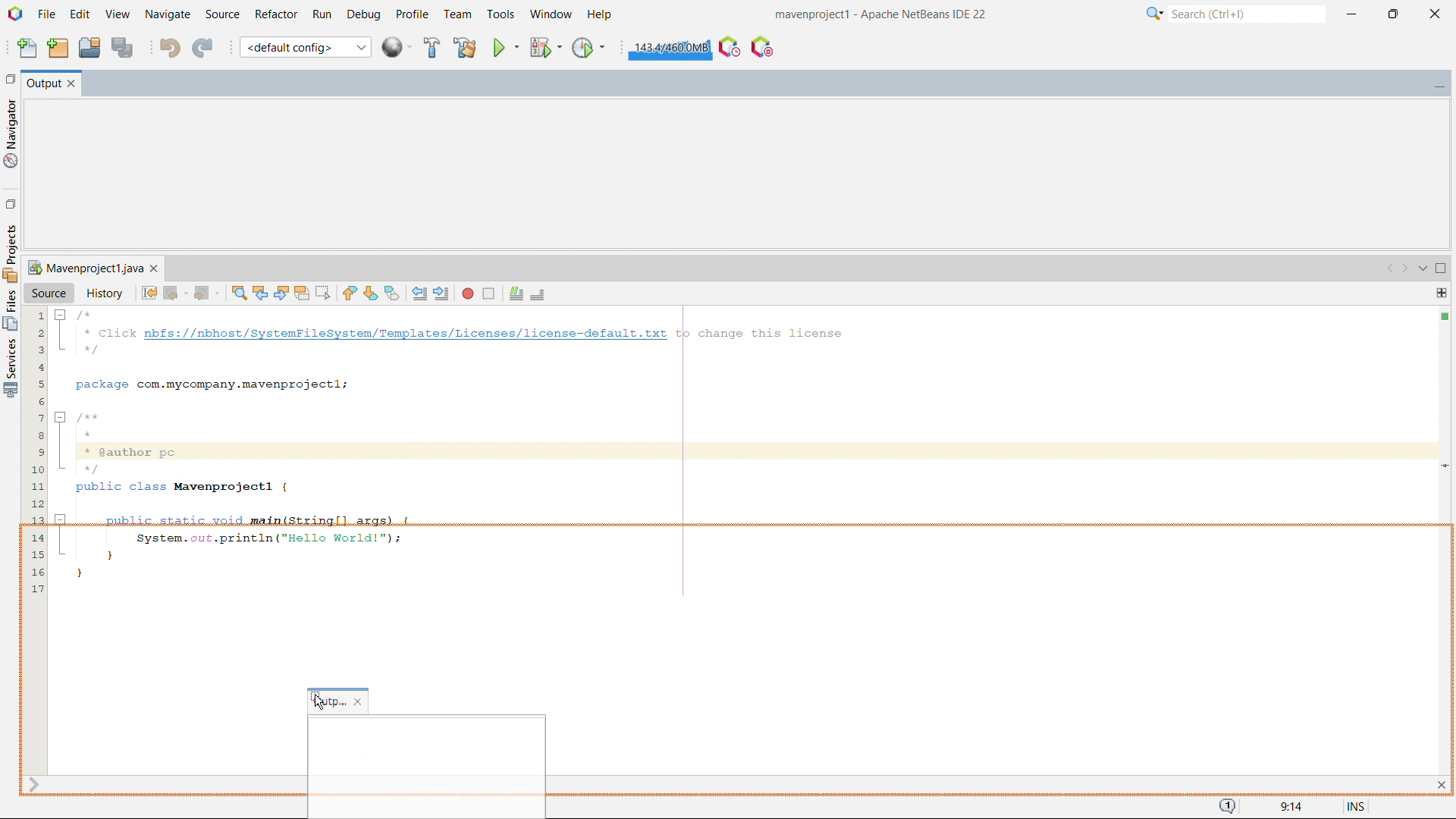  Describe the element at coordinates (206, 293) in the screenshot. I see `forward ` at that location.